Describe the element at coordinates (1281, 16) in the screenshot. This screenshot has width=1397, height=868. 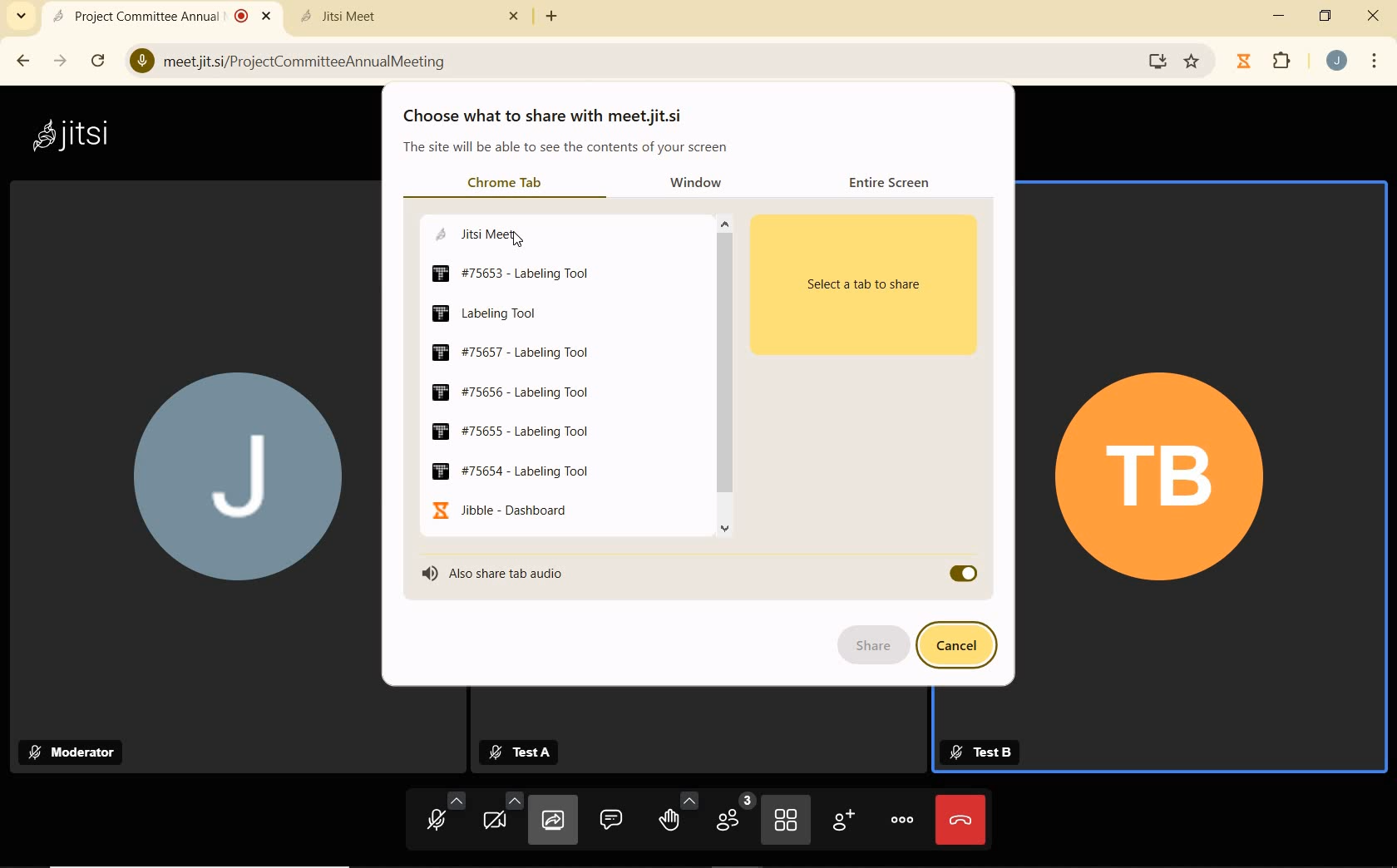
I see `MINIMIZE` at that location.